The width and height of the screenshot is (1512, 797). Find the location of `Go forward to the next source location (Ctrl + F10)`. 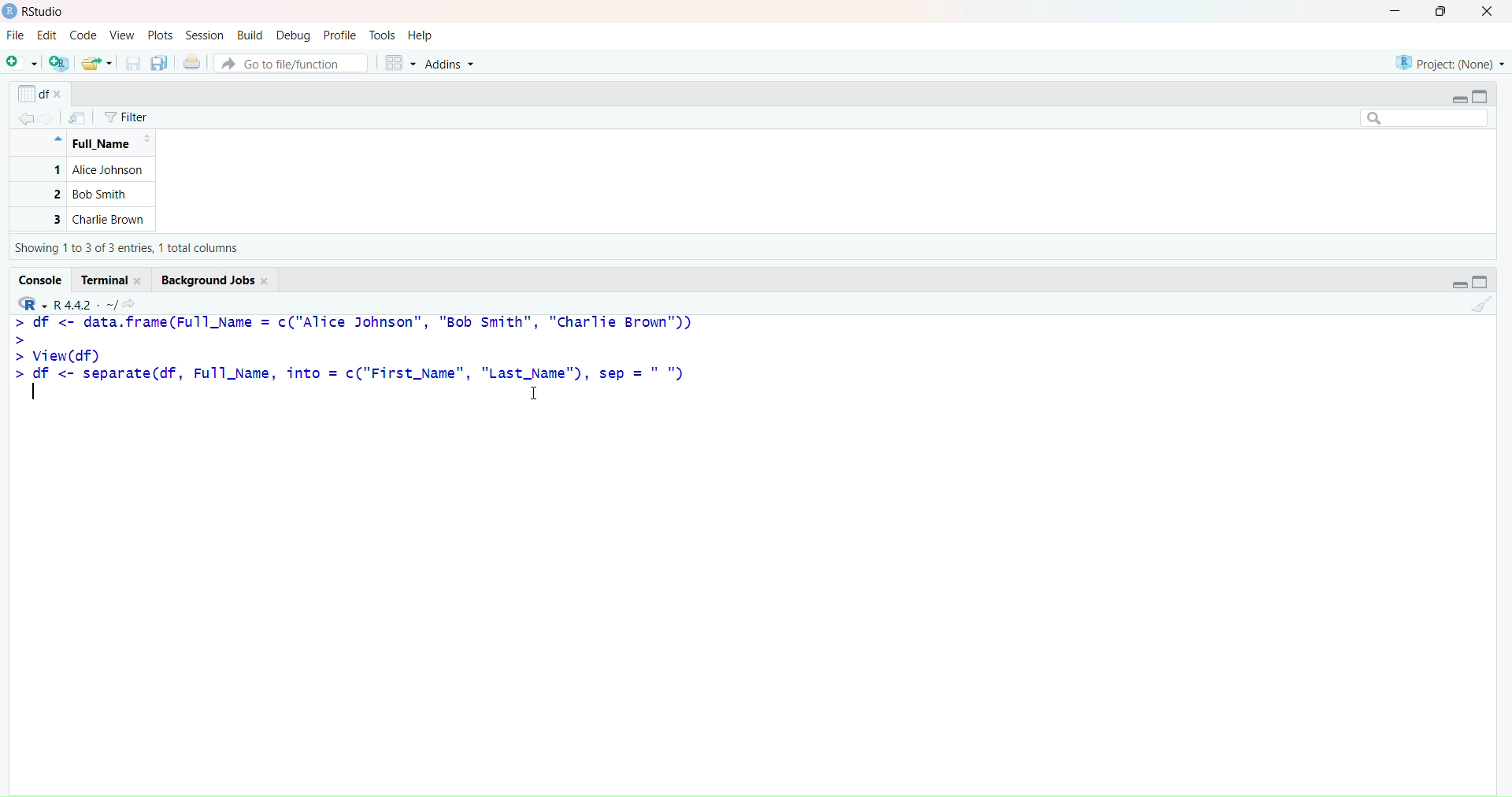

Go forward to the next source location (Ctrl + F10) is located at coordinates (50, 114).